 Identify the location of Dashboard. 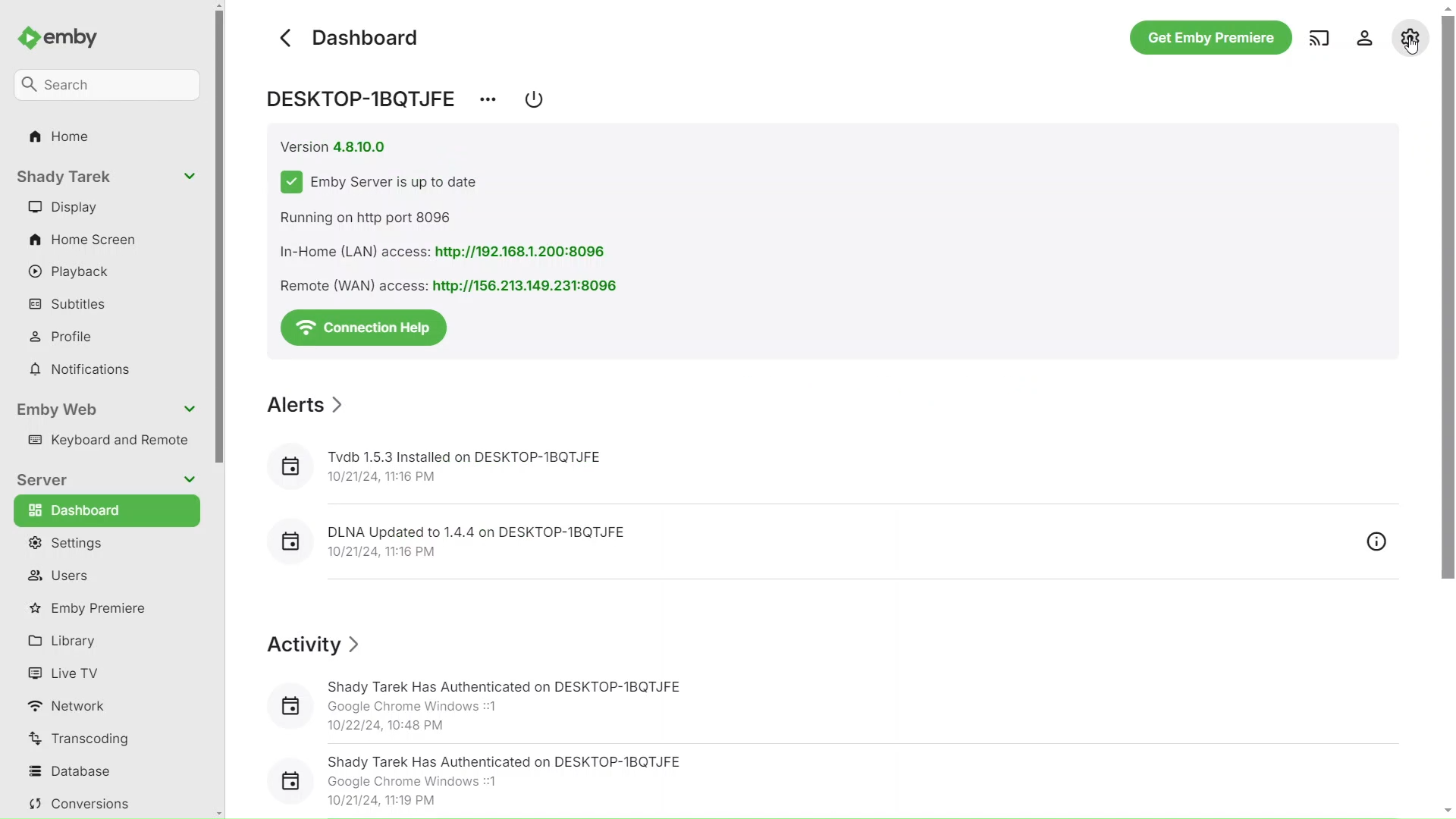
(100, 511).